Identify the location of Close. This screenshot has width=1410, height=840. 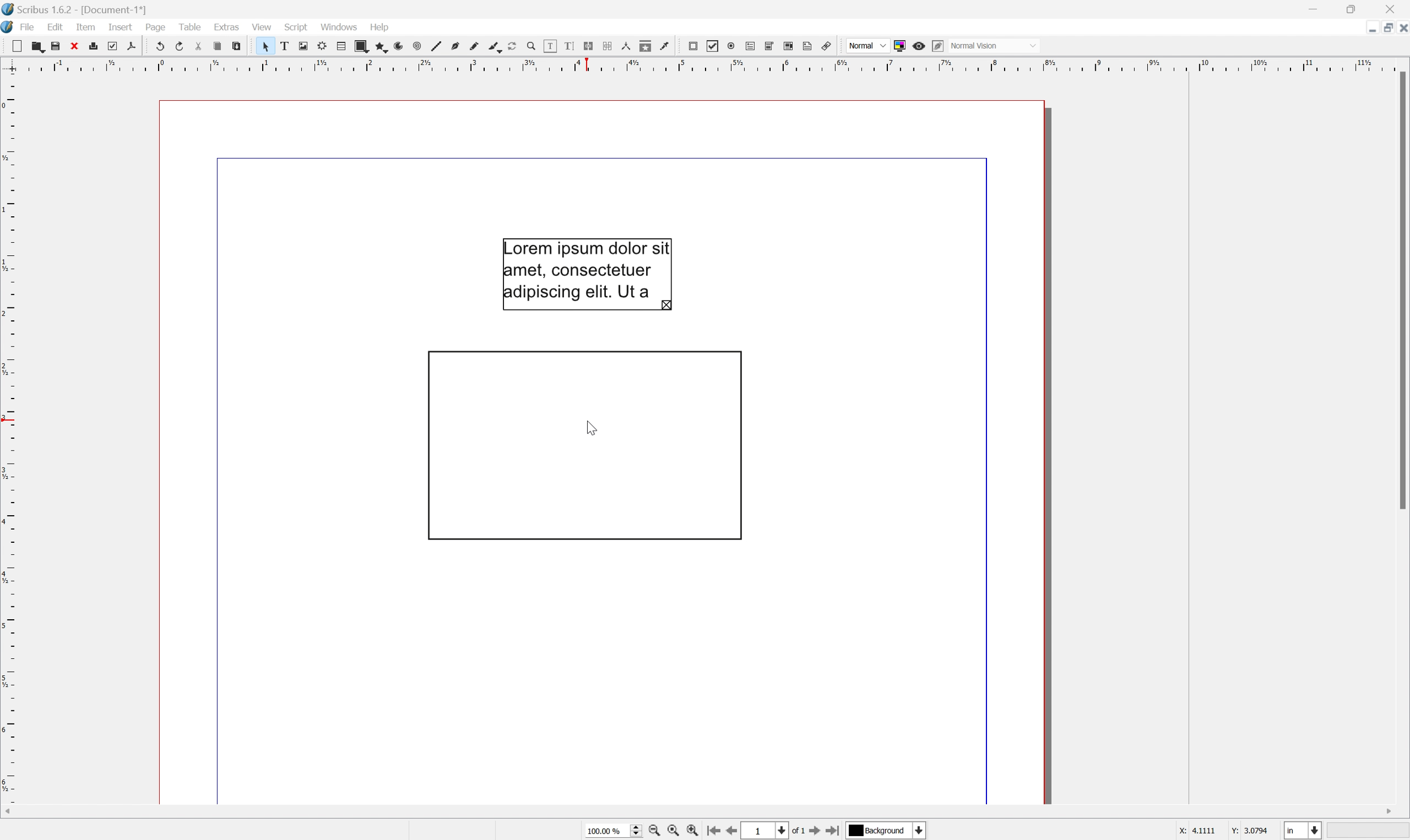
(73, 49).